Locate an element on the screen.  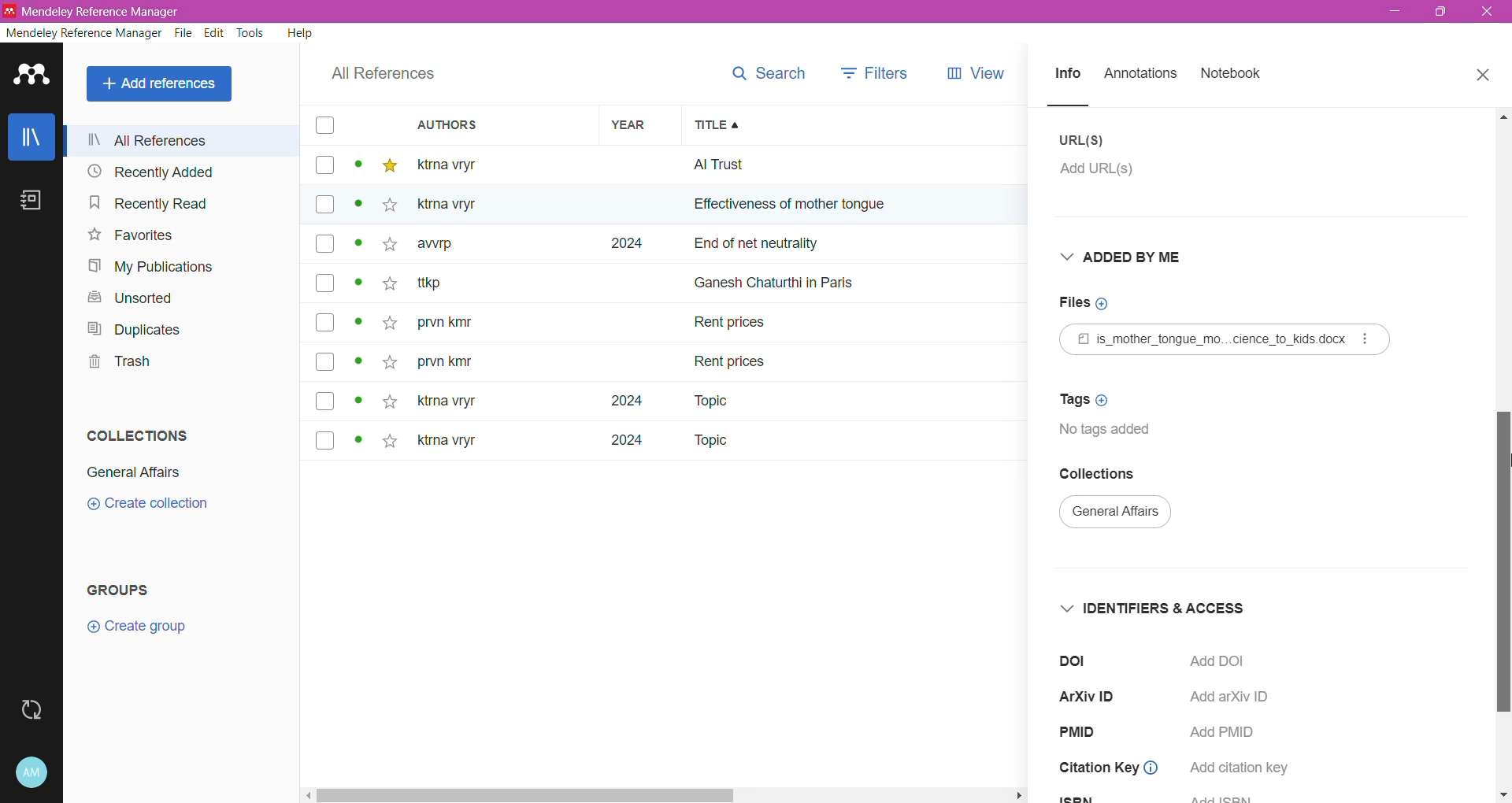
effectiveness of mother ton is located at coordinates (770, 208).